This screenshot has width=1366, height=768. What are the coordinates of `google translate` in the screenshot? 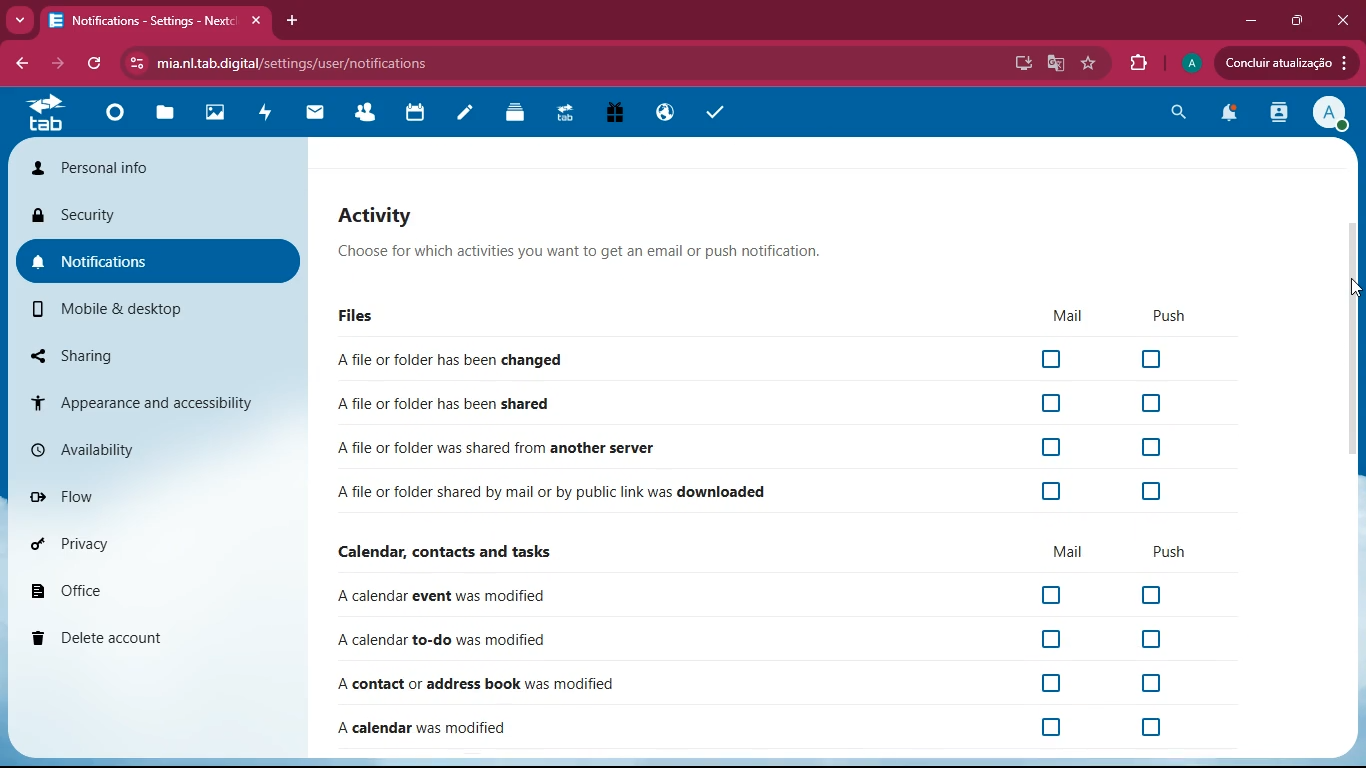 It's located at (1055, 65).